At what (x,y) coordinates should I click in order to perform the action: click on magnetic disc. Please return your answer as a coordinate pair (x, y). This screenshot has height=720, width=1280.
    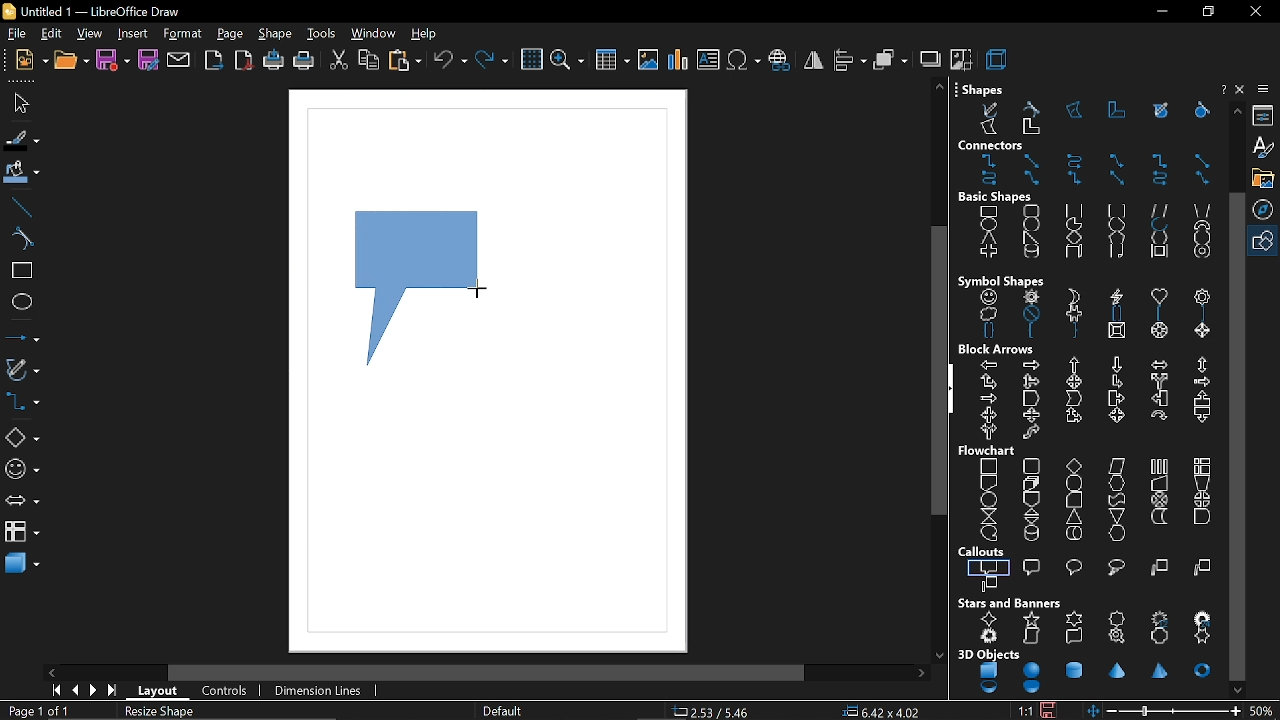
    Looking at the image, I should click on (1029, 533).